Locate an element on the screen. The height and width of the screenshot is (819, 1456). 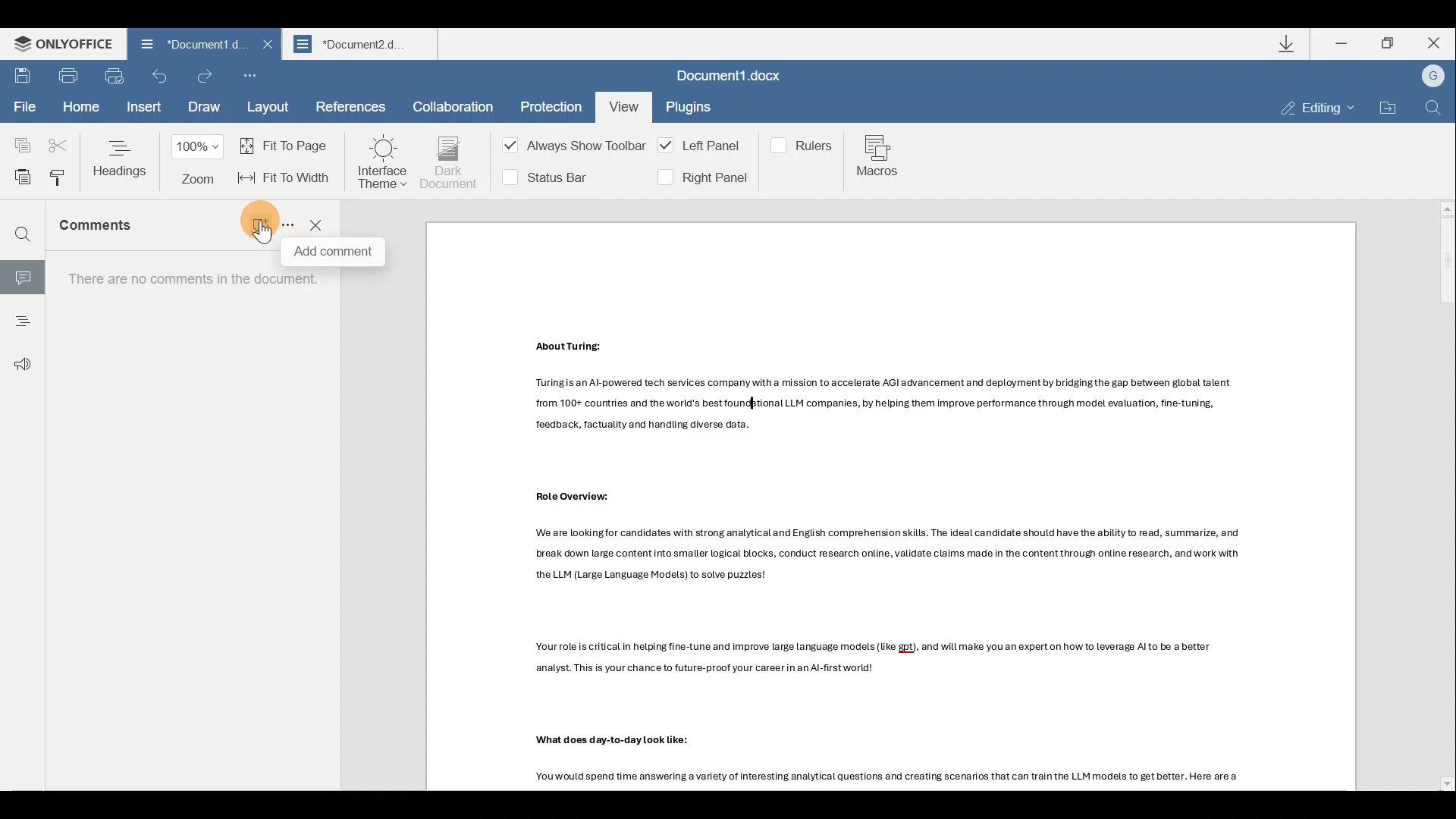
Draw is located at coordinates (202, 108).